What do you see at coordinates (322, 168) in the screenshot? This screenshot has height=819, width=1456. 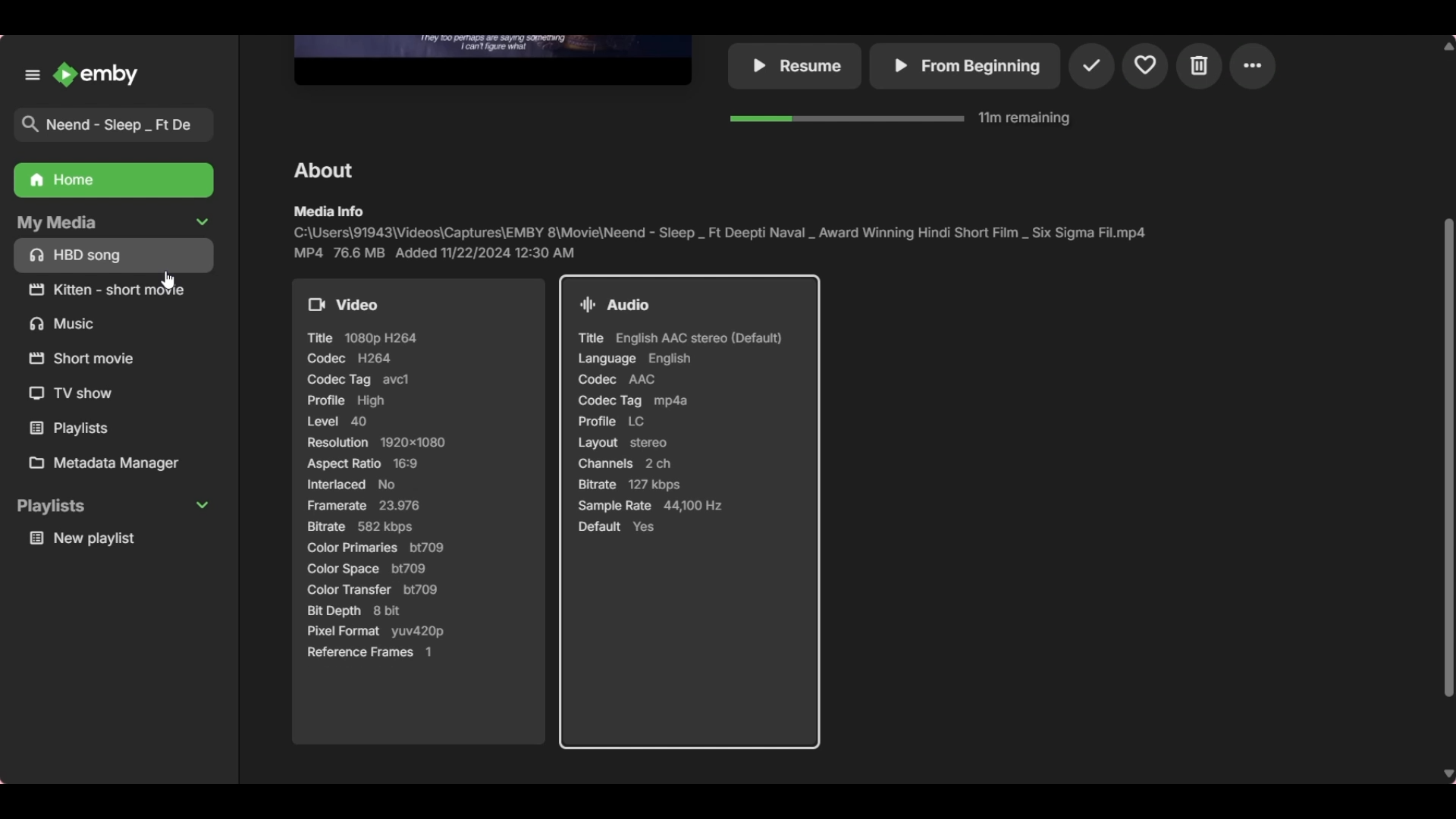 I see `` at bounding box center [322, 168].